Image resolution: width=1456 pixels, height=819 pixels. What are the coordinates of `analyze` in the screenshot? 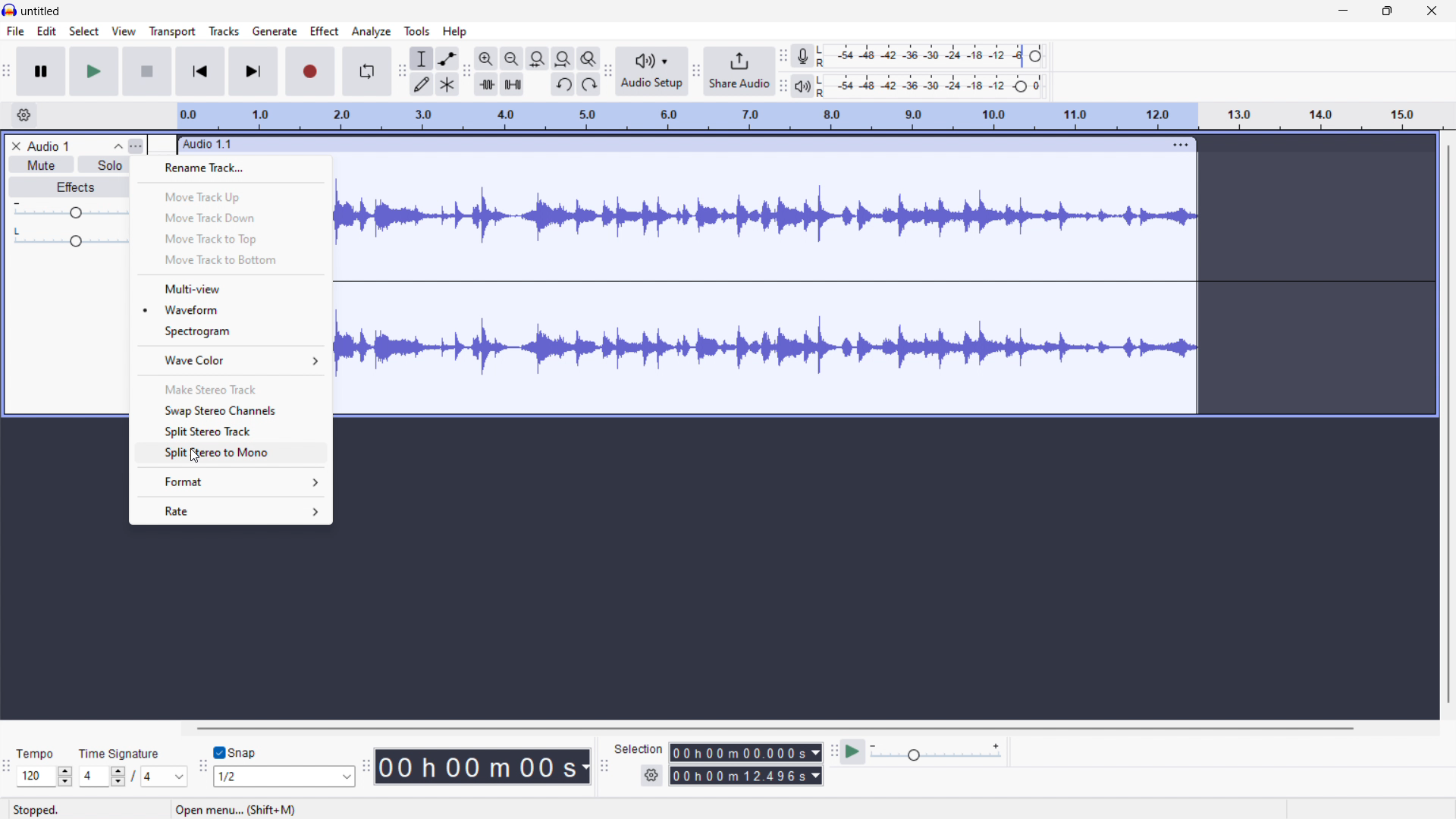 It's located at (371, 31).